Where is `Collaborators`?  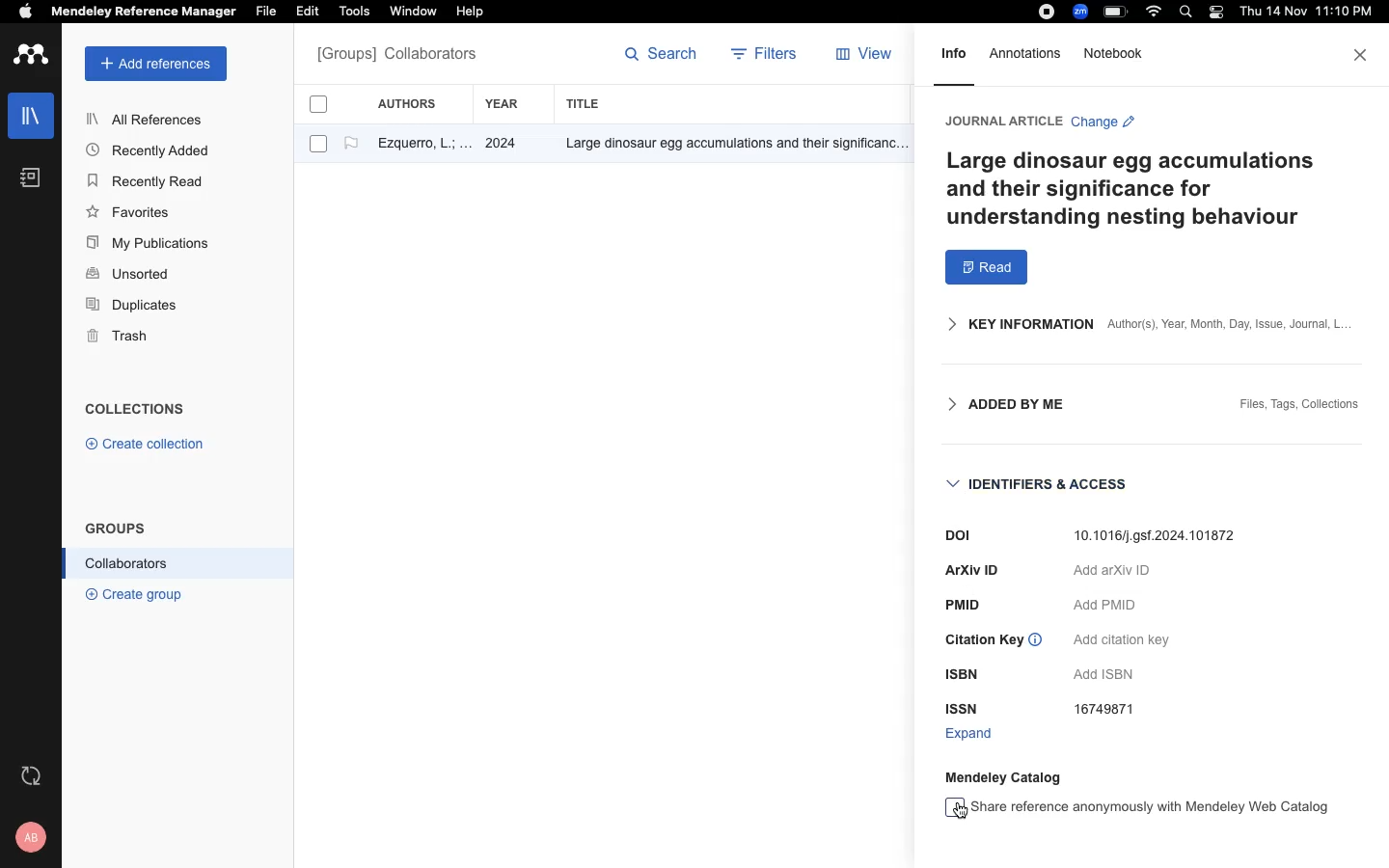
Collaborators is located at coordinates (127, 563).